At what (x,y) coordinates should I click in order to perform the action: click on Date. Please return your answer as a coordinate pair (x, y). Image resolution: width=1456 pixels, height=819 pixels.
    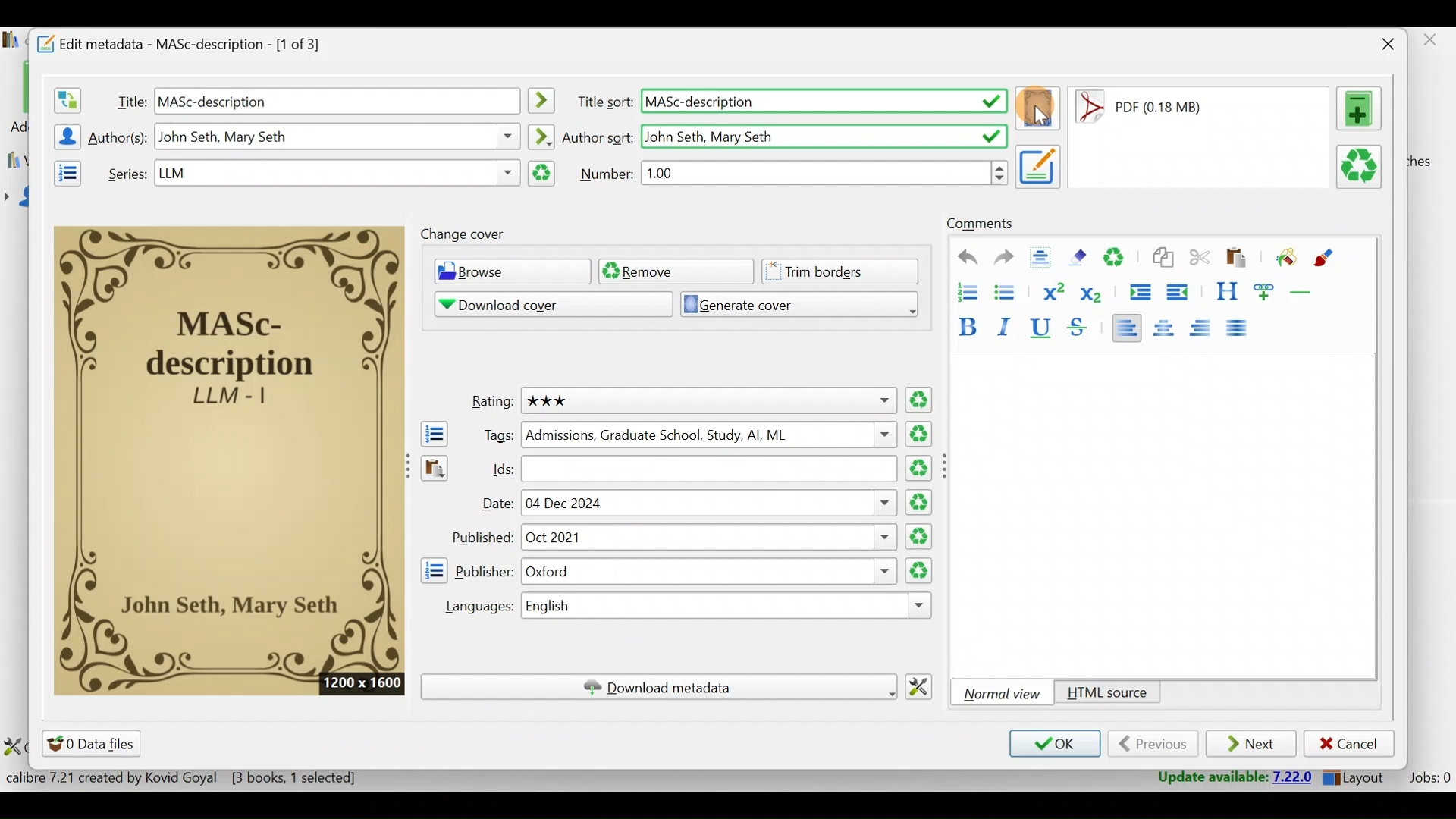
    Looking at the image, I should click on (495, 505).